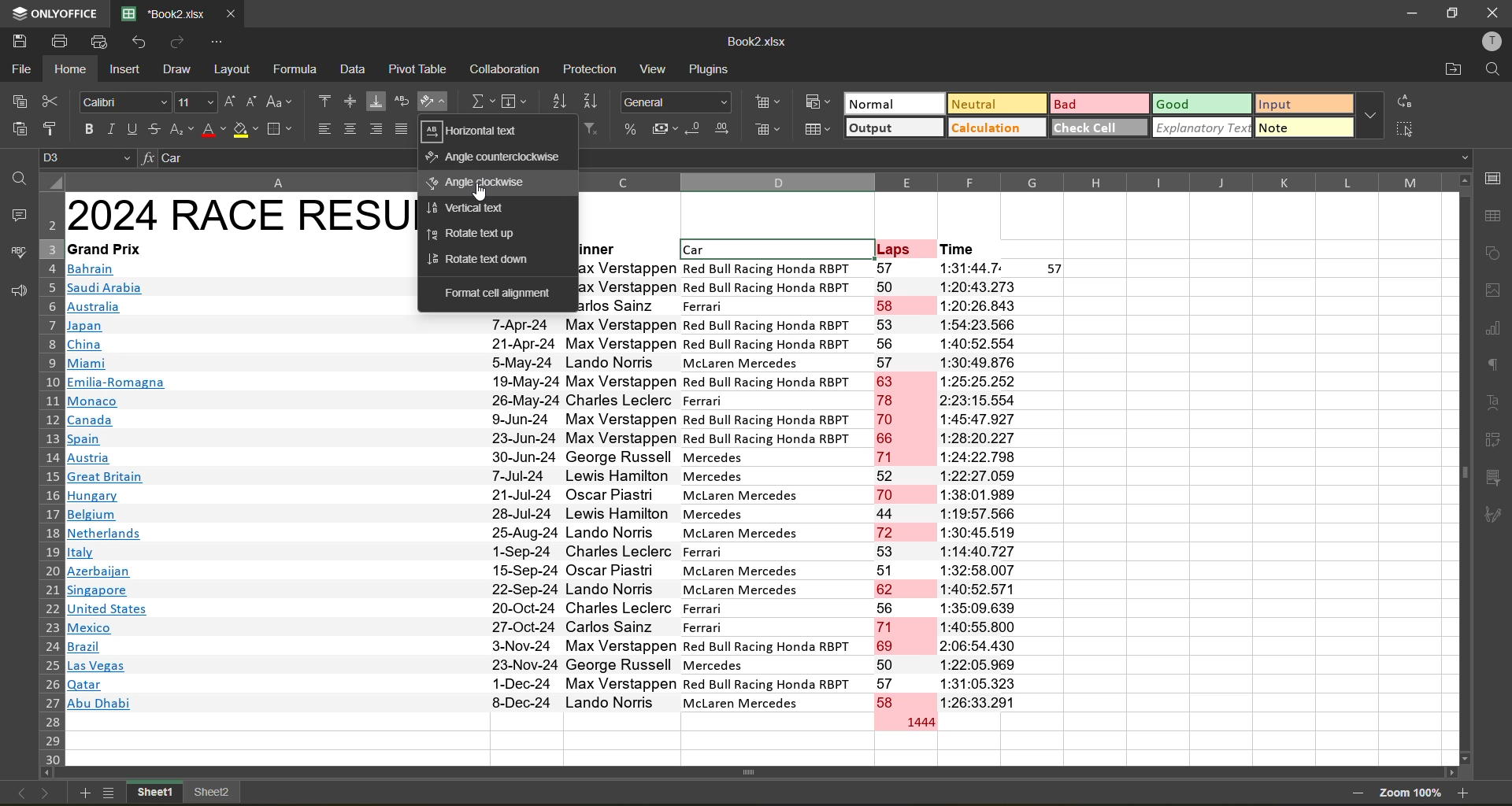 The width and height of the screenshot is (1512, 806). I want to click on Scroll down, so click(1463, 759).